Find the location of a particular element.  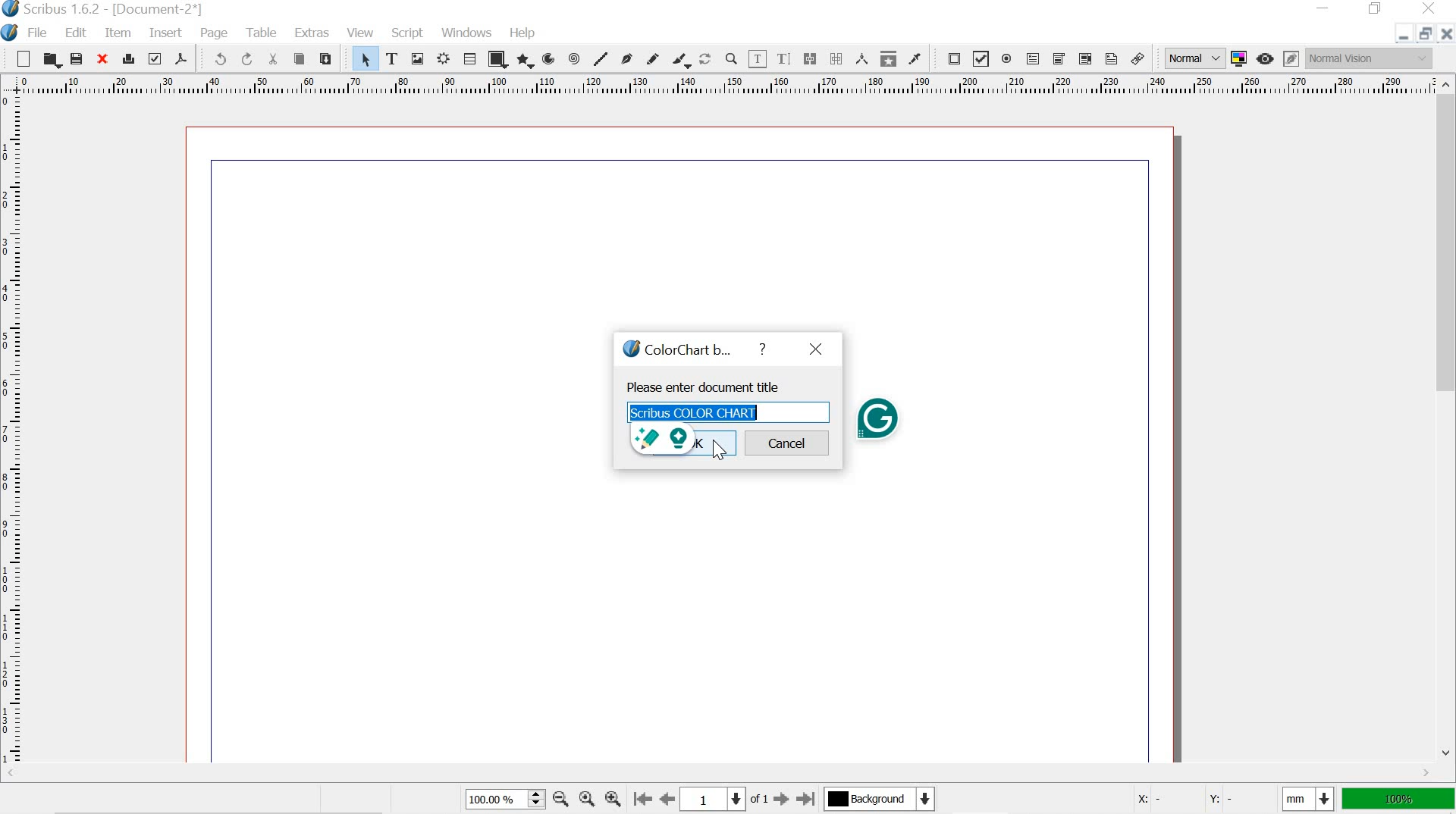

Scribus 1.6.2-[Document-1] is located at coordinates (123, 9).